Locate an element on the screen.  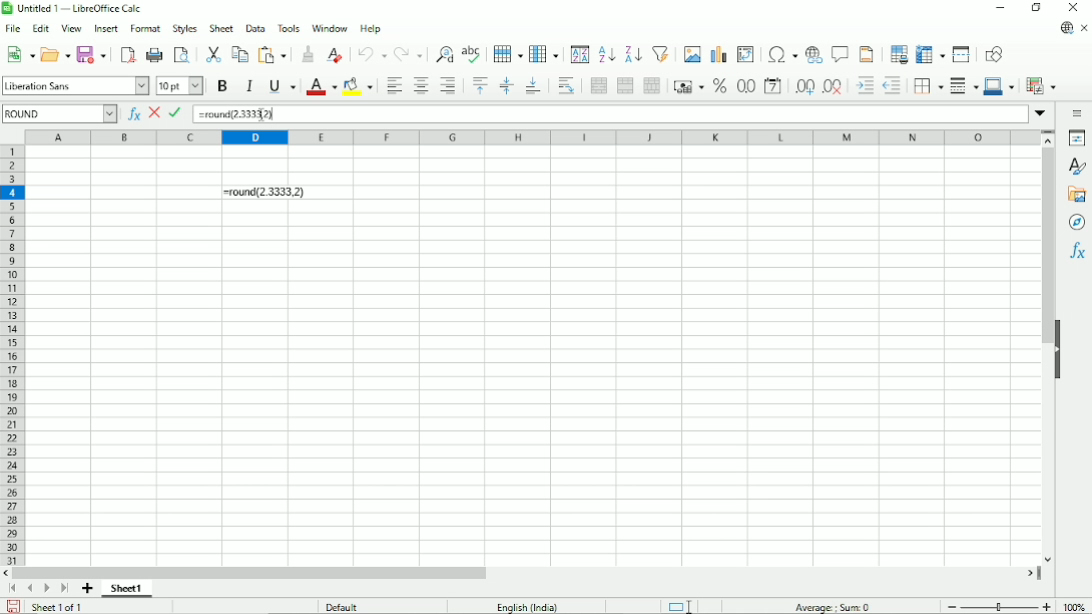
Sidebar settings is located at coordinates (1076, 115).